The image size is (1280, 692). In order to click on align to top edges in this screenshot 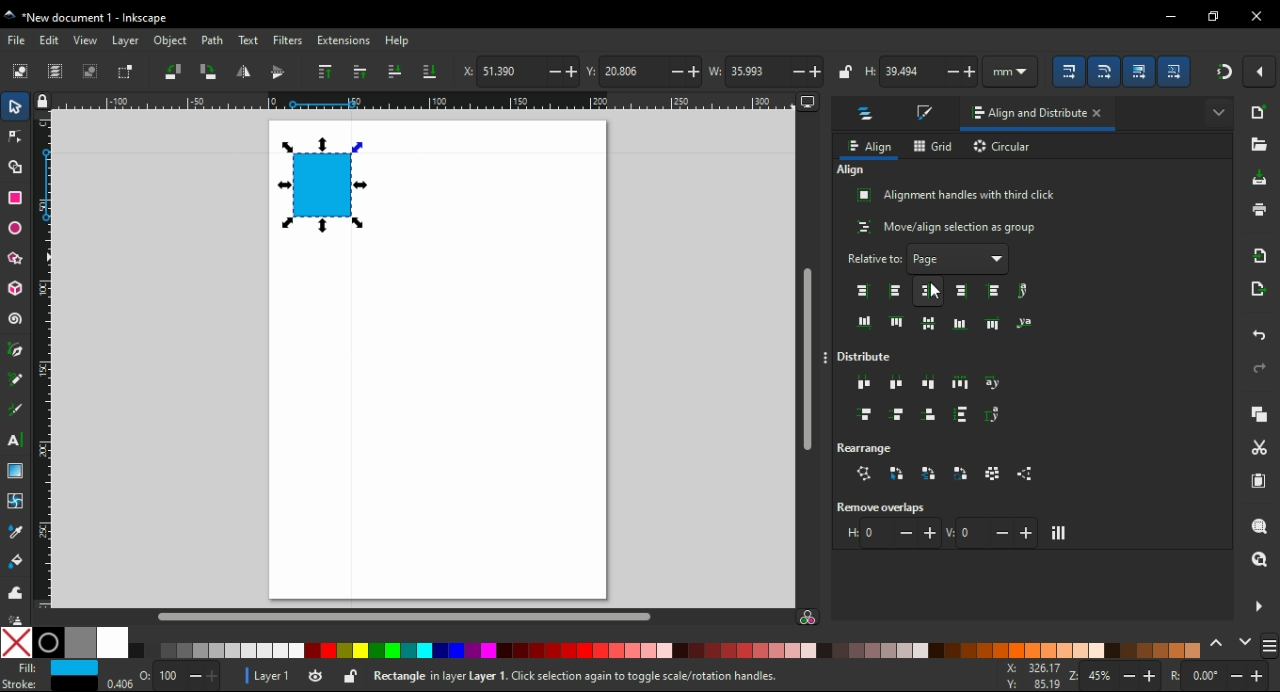, I will do `click(897, 321)`.